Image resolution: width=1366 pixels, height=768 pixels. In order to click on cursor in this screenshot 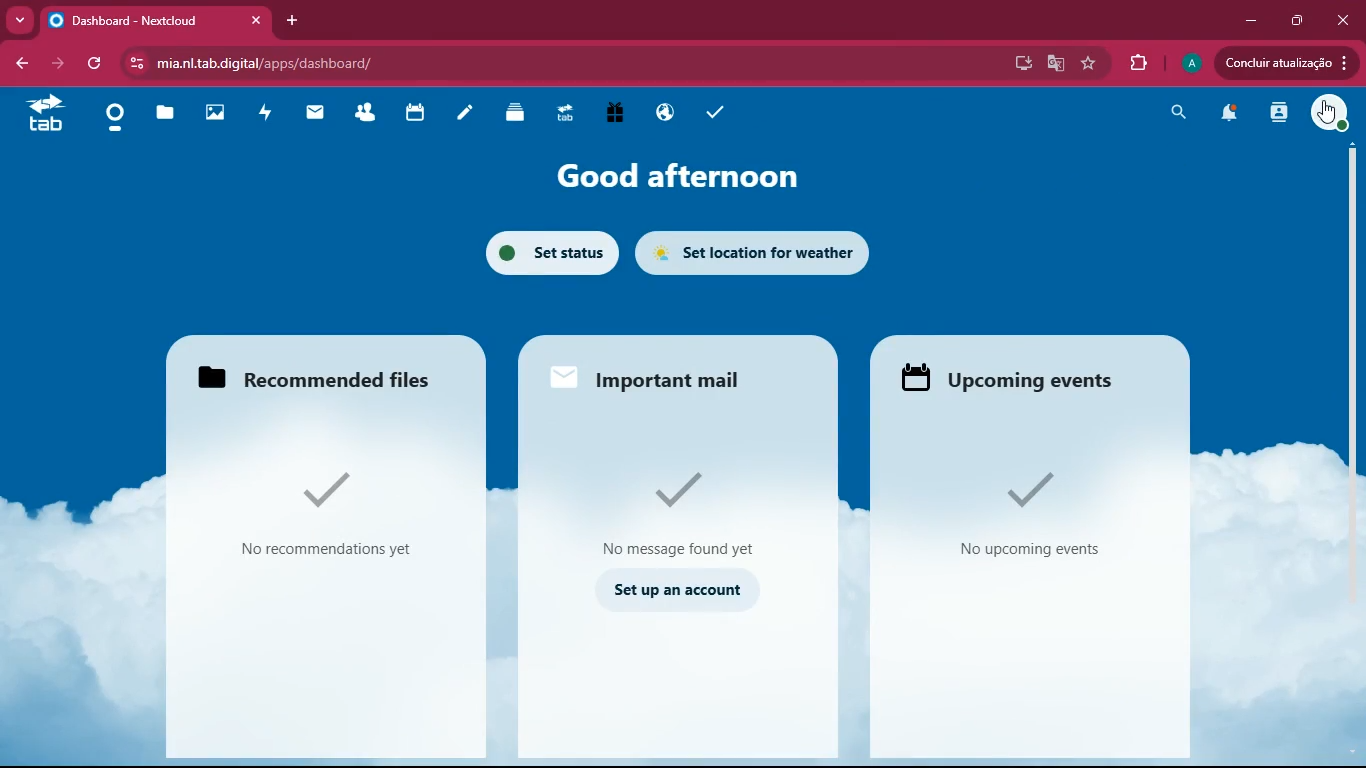, I will do `click(1329, 111)`.